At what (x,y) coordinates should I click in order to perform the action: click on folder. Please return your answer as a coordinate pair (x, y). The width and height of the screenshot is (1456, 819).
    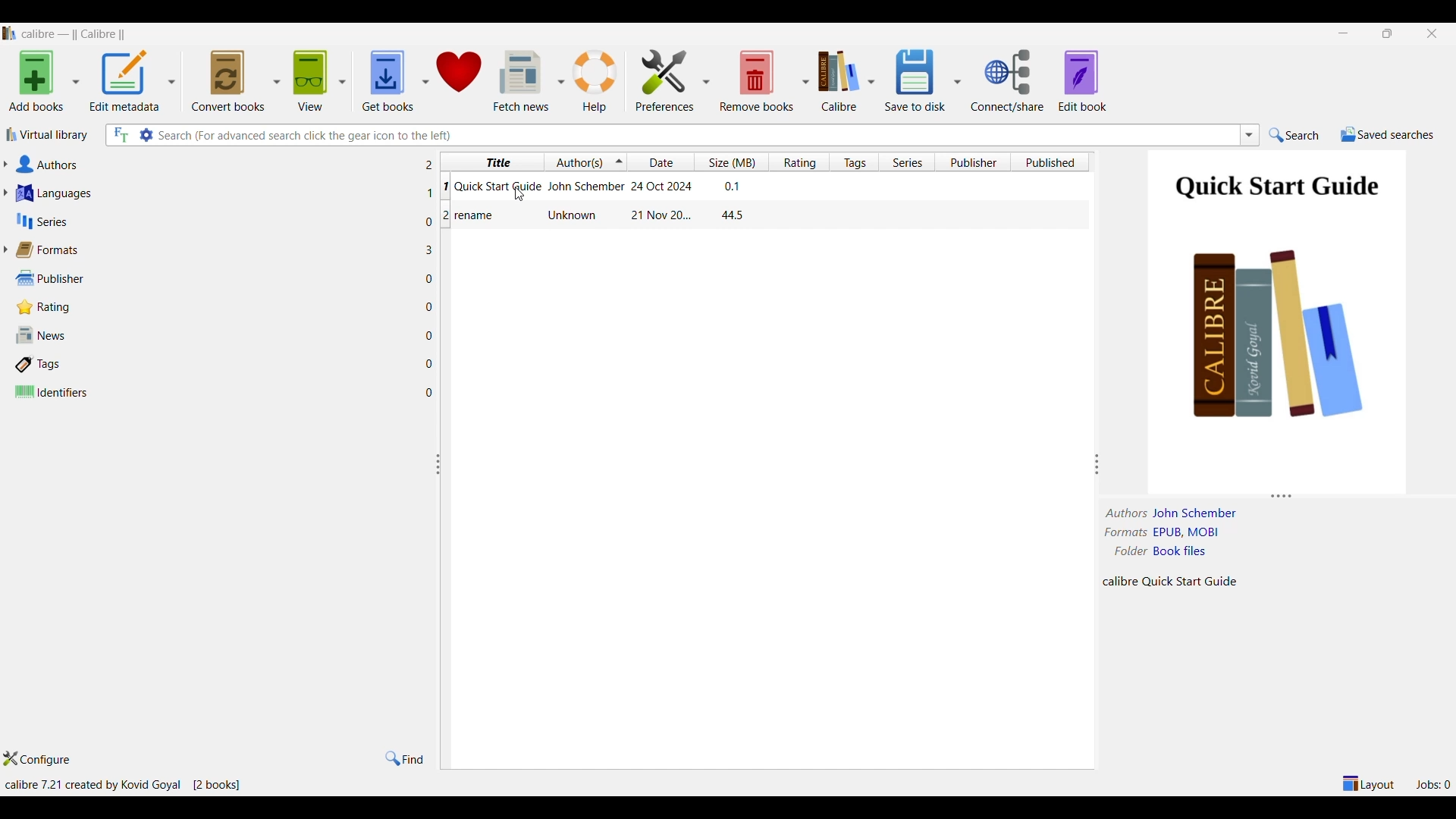
    Looking at the image, I should click on (1128, 551).